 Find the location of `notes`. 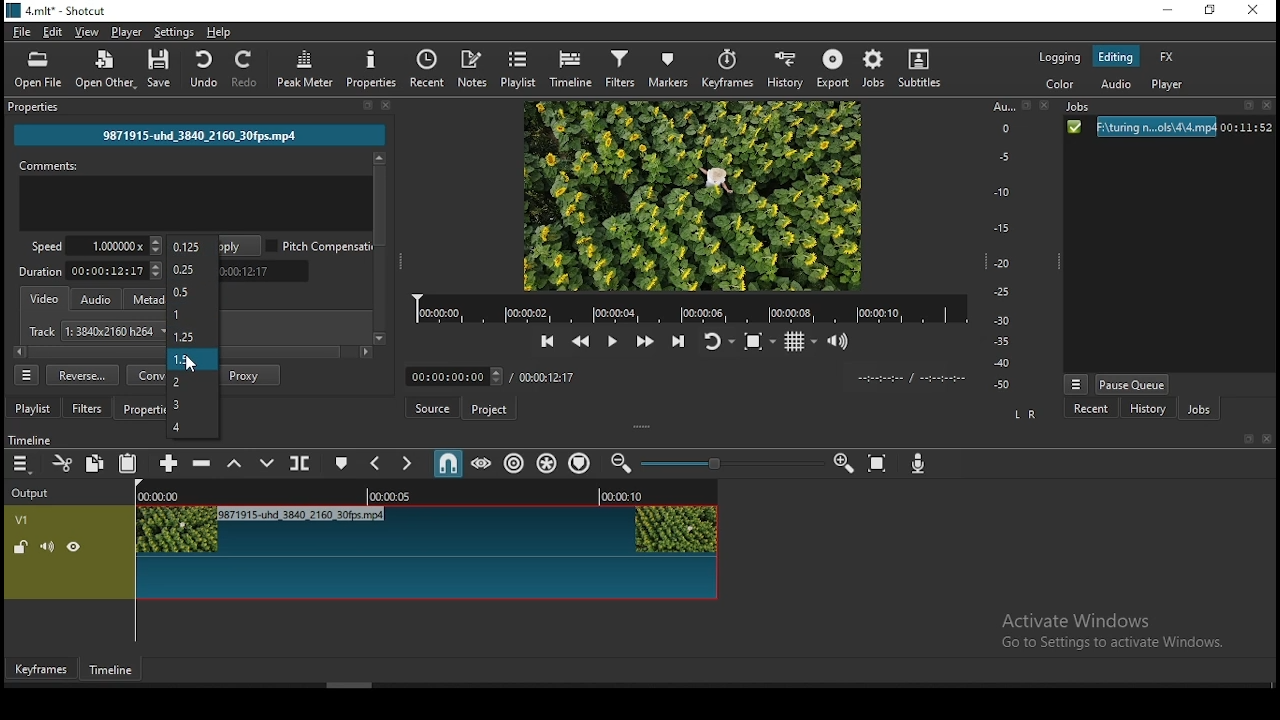

notes is located at coordinates (475, 68).